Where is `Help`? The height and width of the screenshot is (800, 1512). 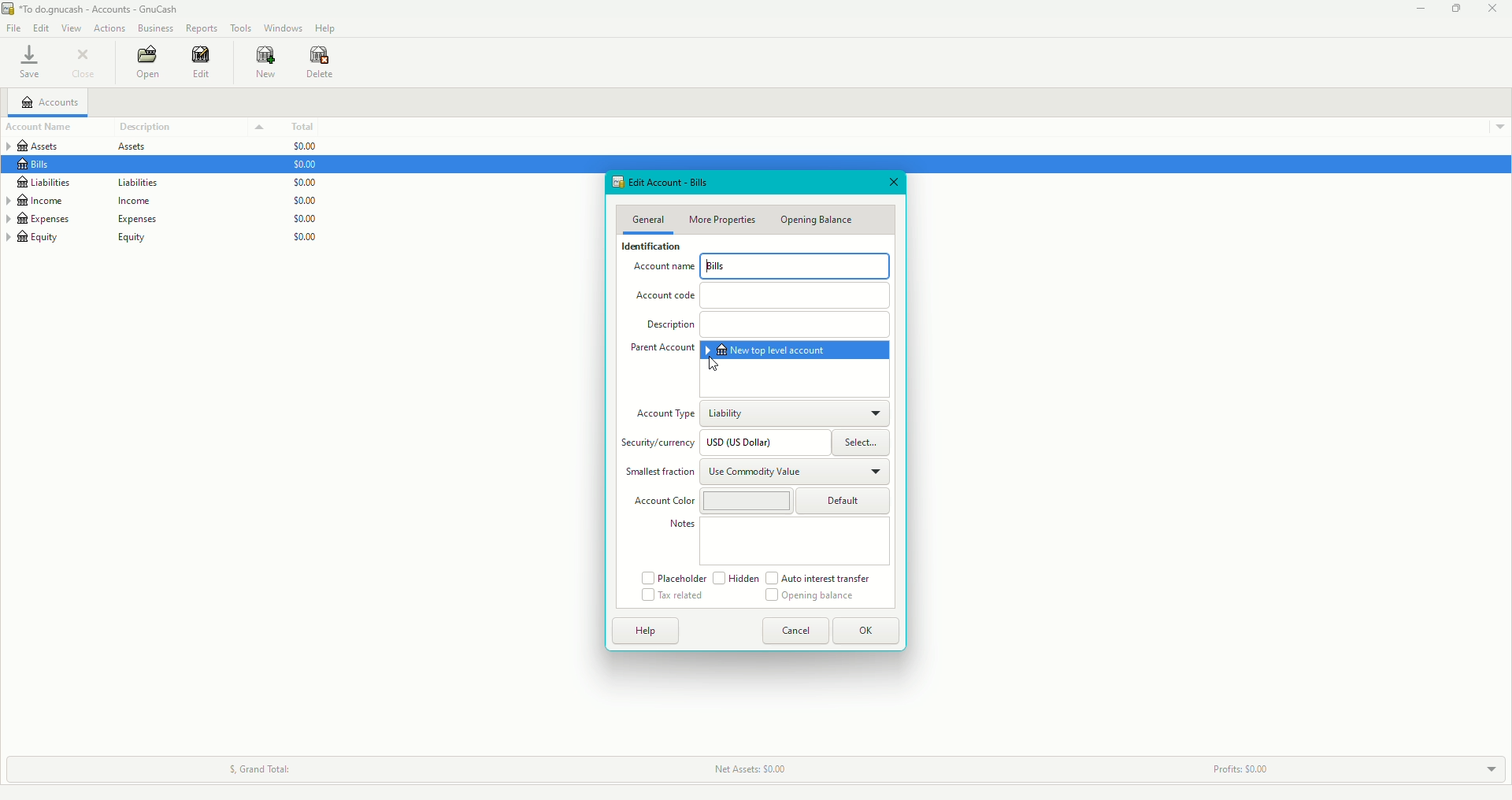 Help is located at coordinates (642, 631).